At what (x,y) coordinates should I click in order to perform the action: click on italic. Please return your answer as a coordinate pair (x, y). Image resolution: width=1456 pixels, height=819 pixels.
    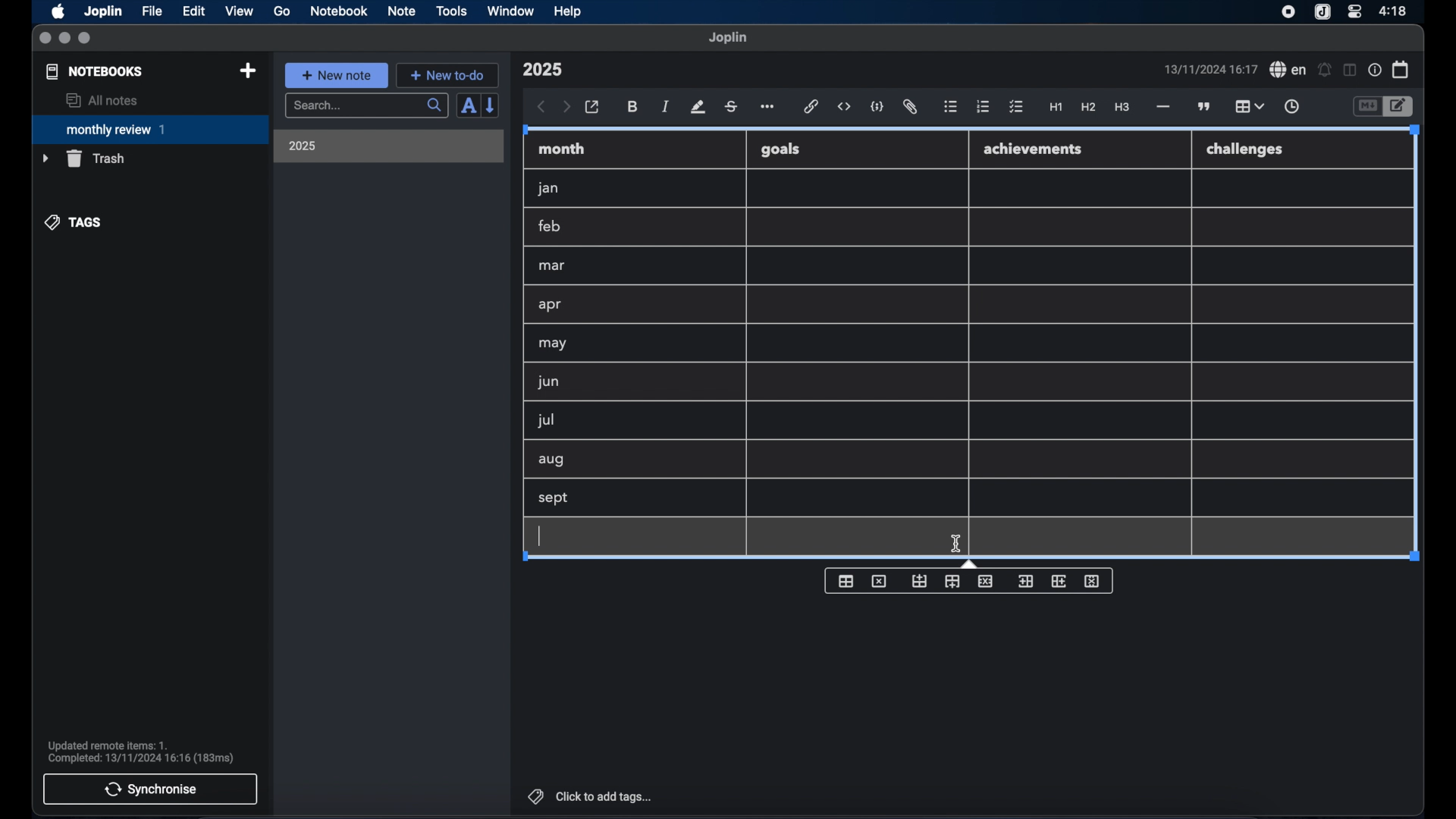
    Looking at the image, I should click on (666, 106).